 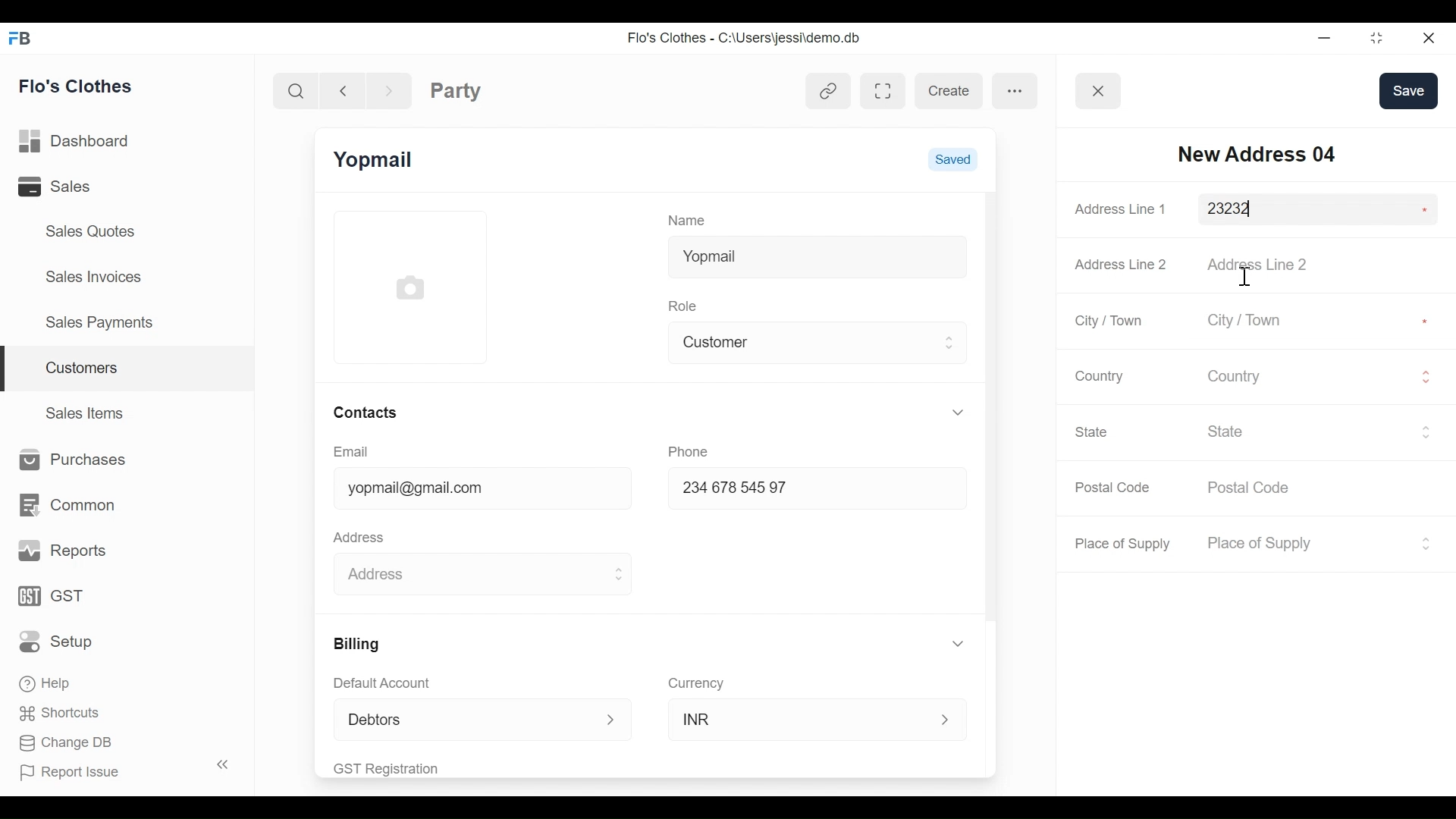 What do you see at coordinates (1427, 319) in the screenshot?
I see `Asterisk ` at bounding box center [1427, 319].